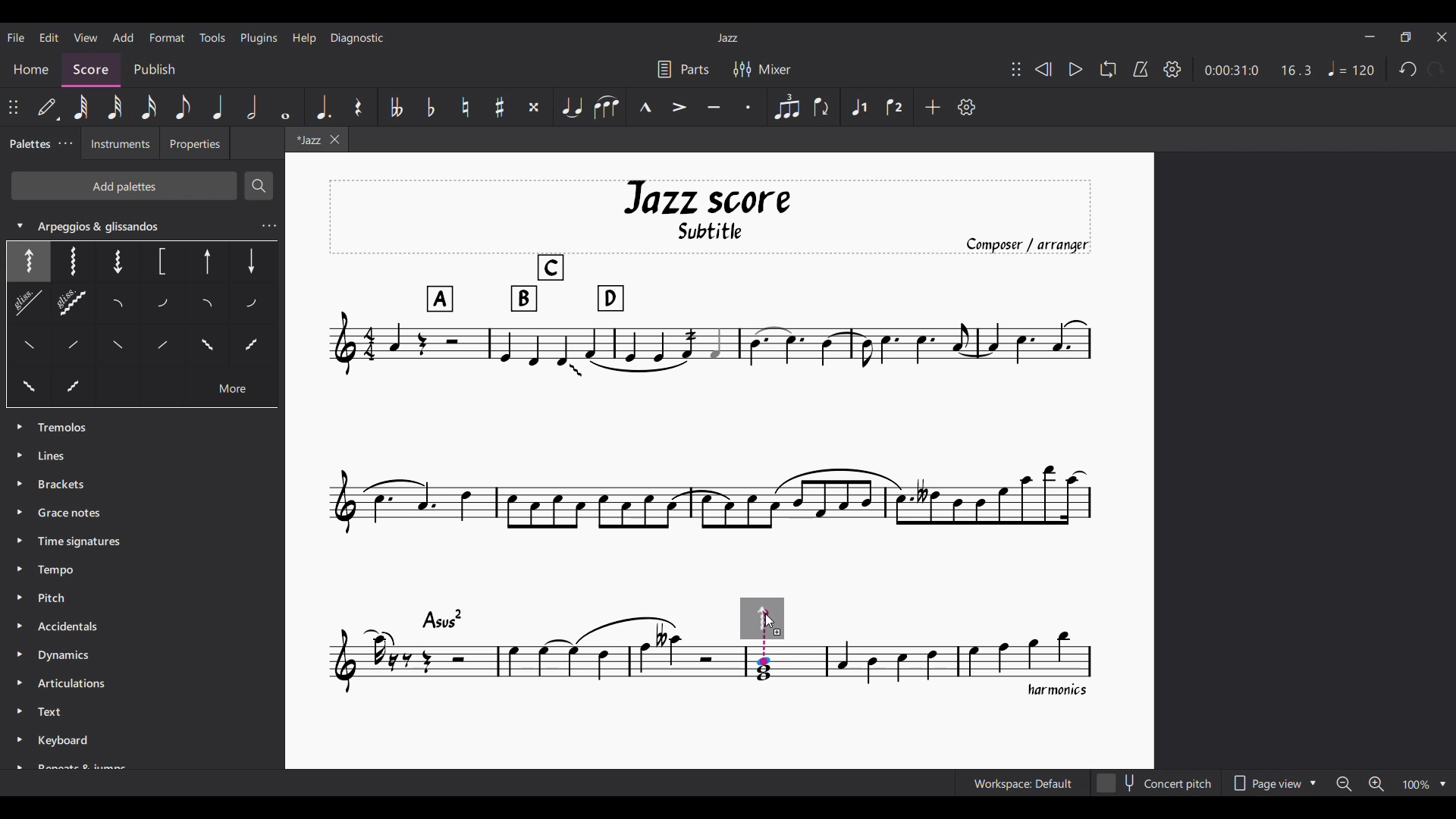 The image size is (1456, 819). I want to click on Minimize, so click(1370, 36).